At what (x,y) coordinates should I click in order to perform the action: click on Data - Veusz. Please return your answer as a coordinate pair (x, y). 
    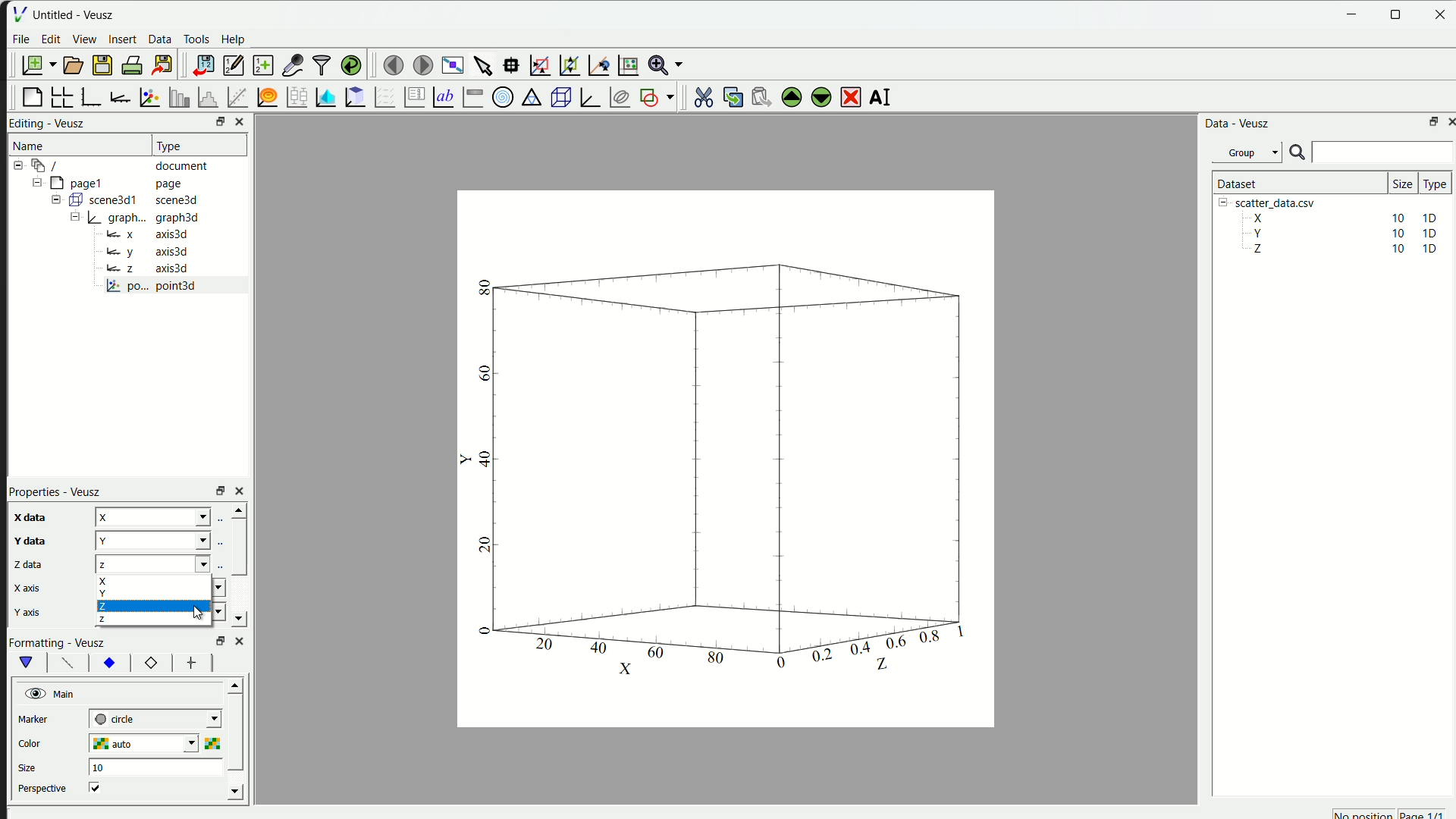
    Looking at the image, I should click on (1235, 124).